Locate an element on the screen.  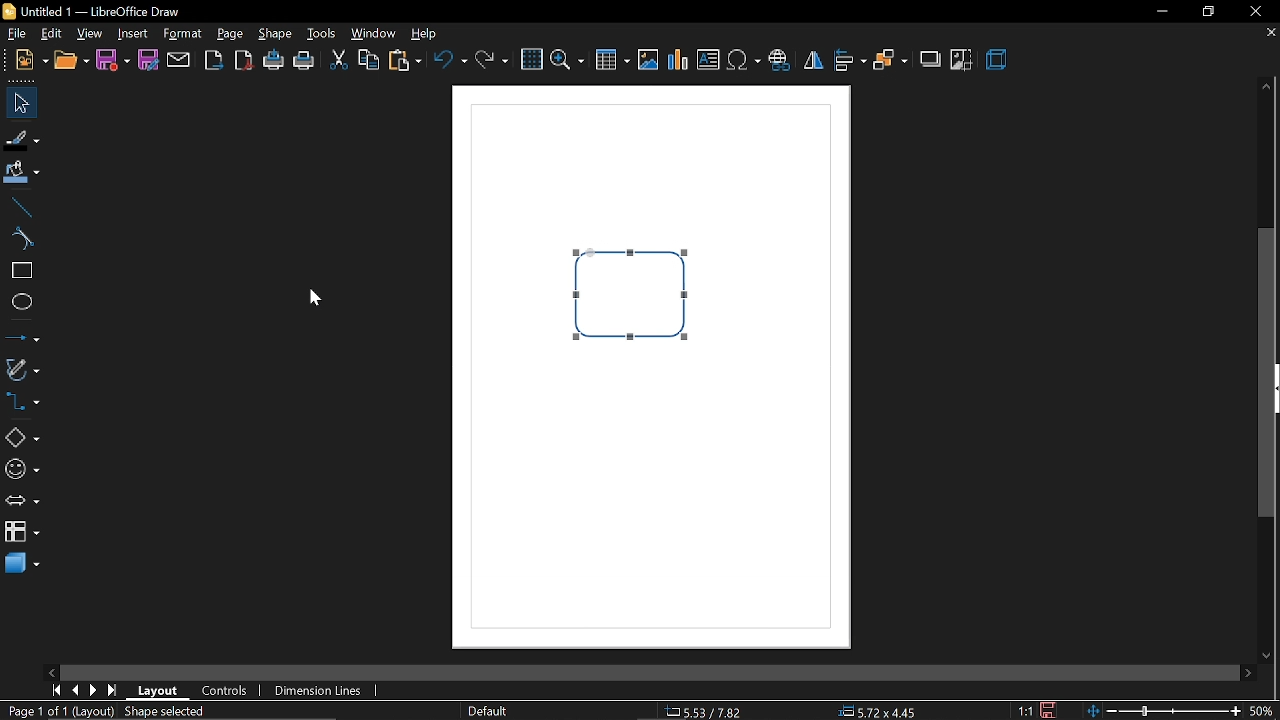
page style is located at coordinates (487, 709).